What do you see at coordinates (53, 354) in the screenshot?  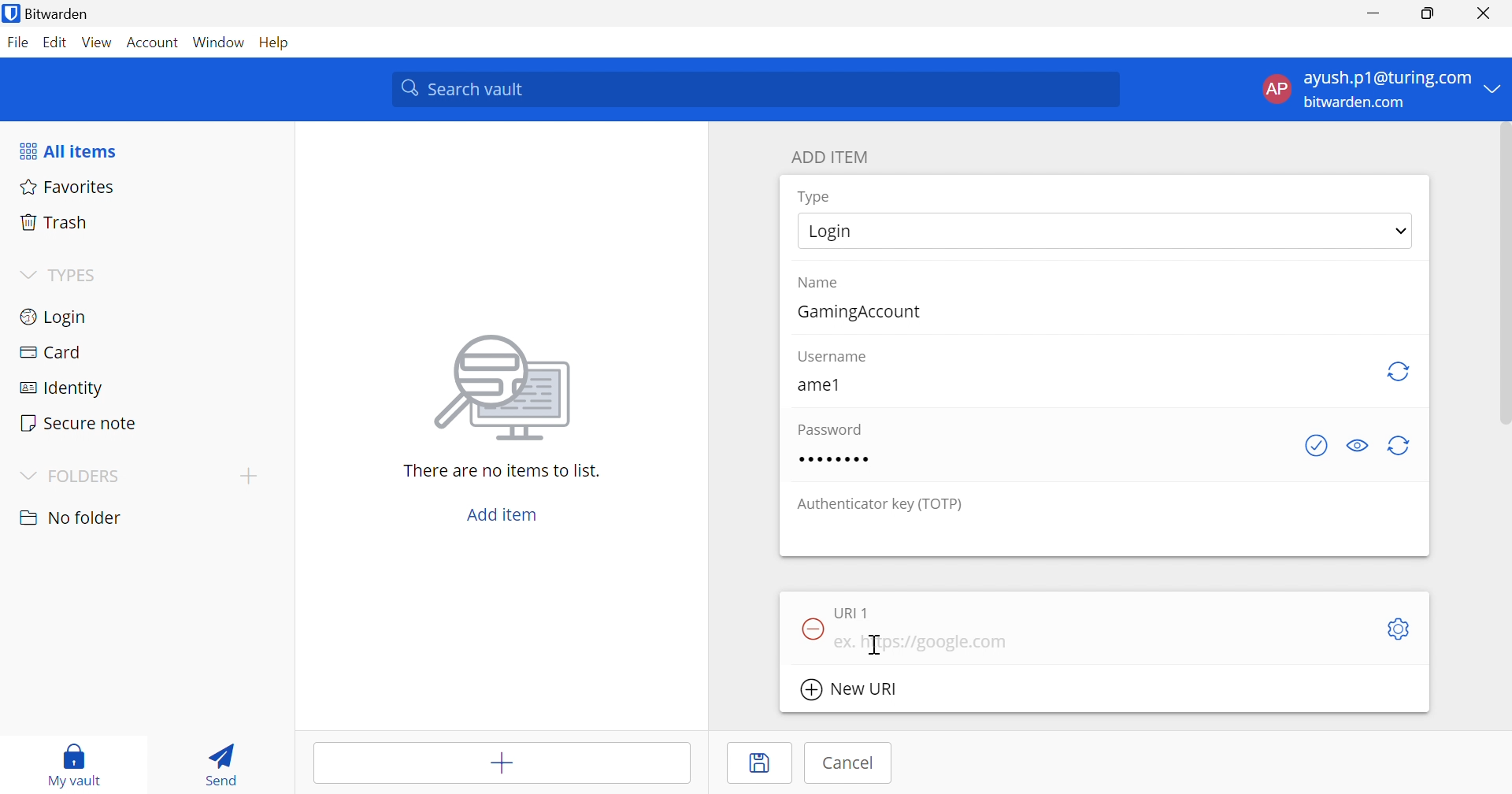 I see `Card` at bounding box center [53, 354].